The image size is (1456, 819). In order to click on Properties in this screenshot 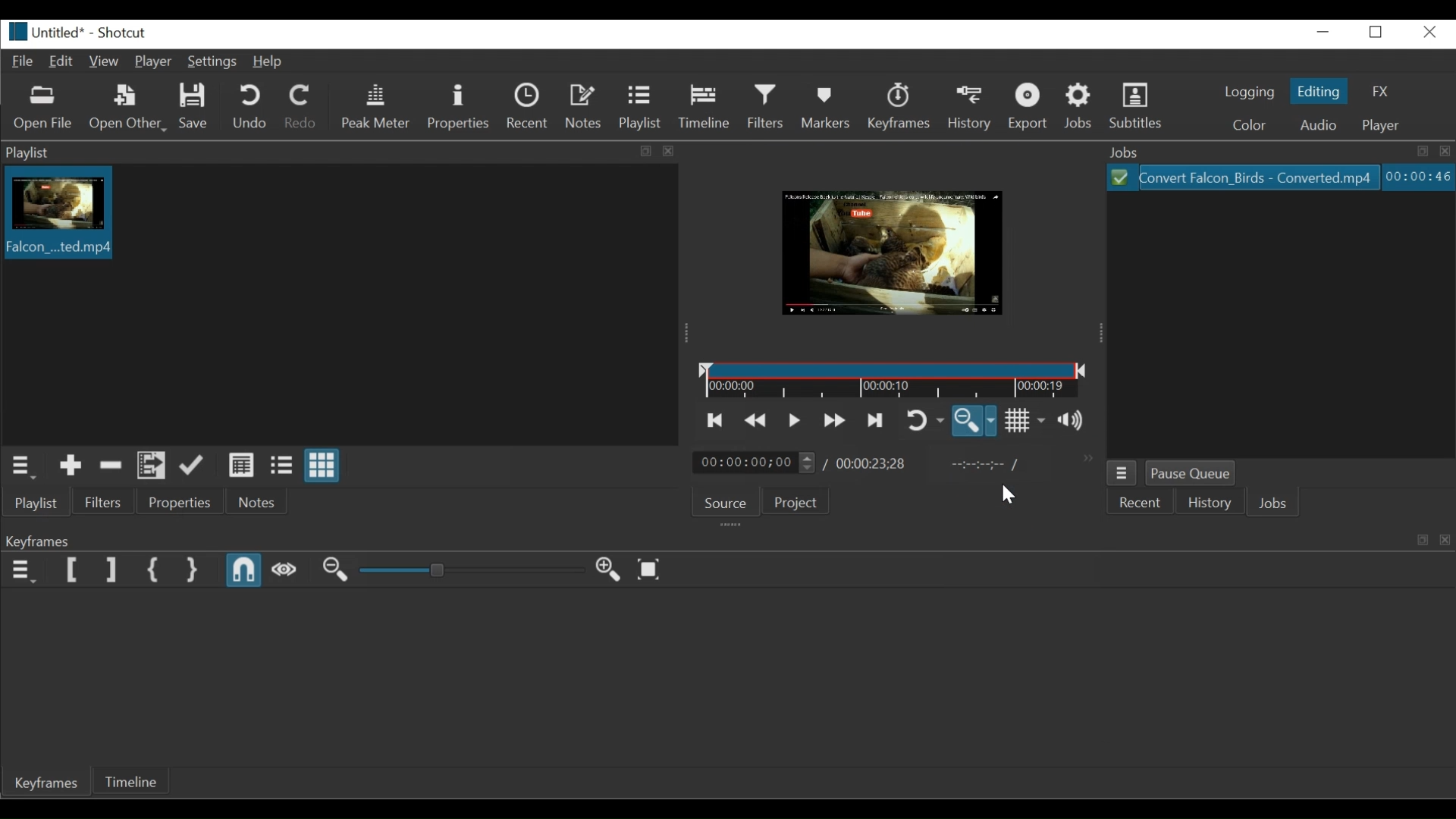, I will do `click(180, 500)`.